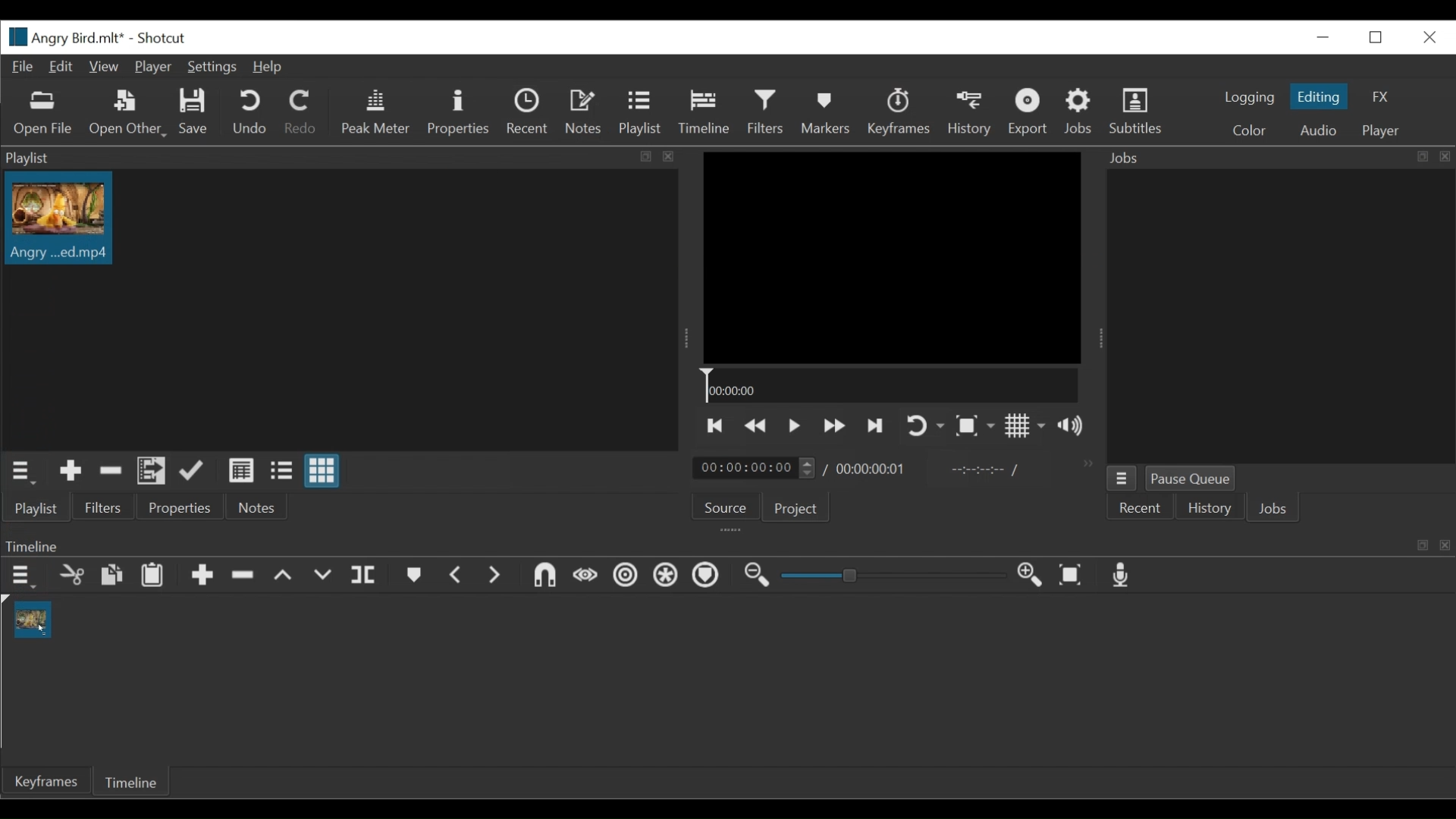 This screenshot has height=819, width=1456. Describe the element at coordinates (108, 471) in the screenshot. I see `Remove cut` at that location.